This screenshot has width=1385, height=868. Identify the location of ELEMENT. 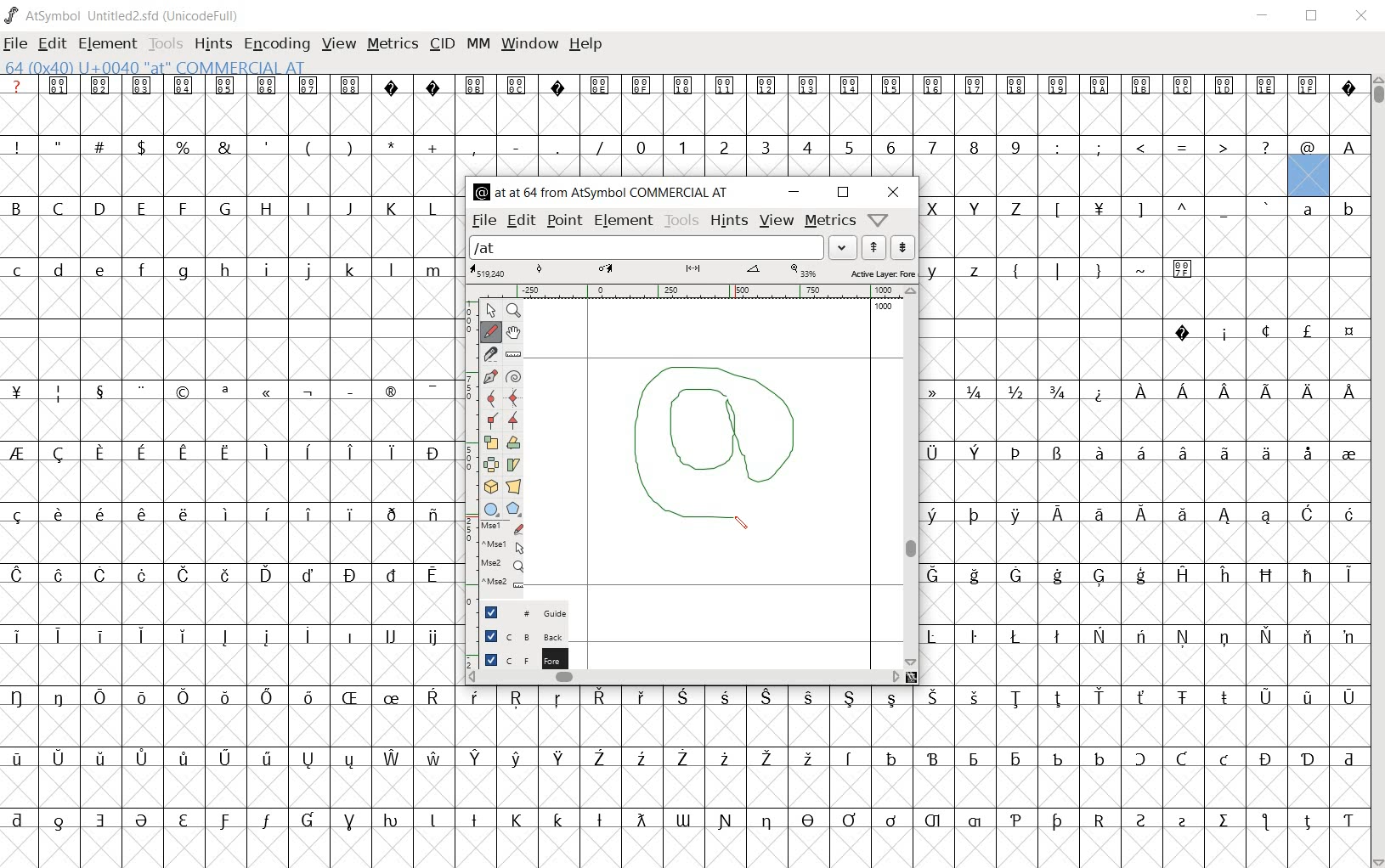
(108, 45).